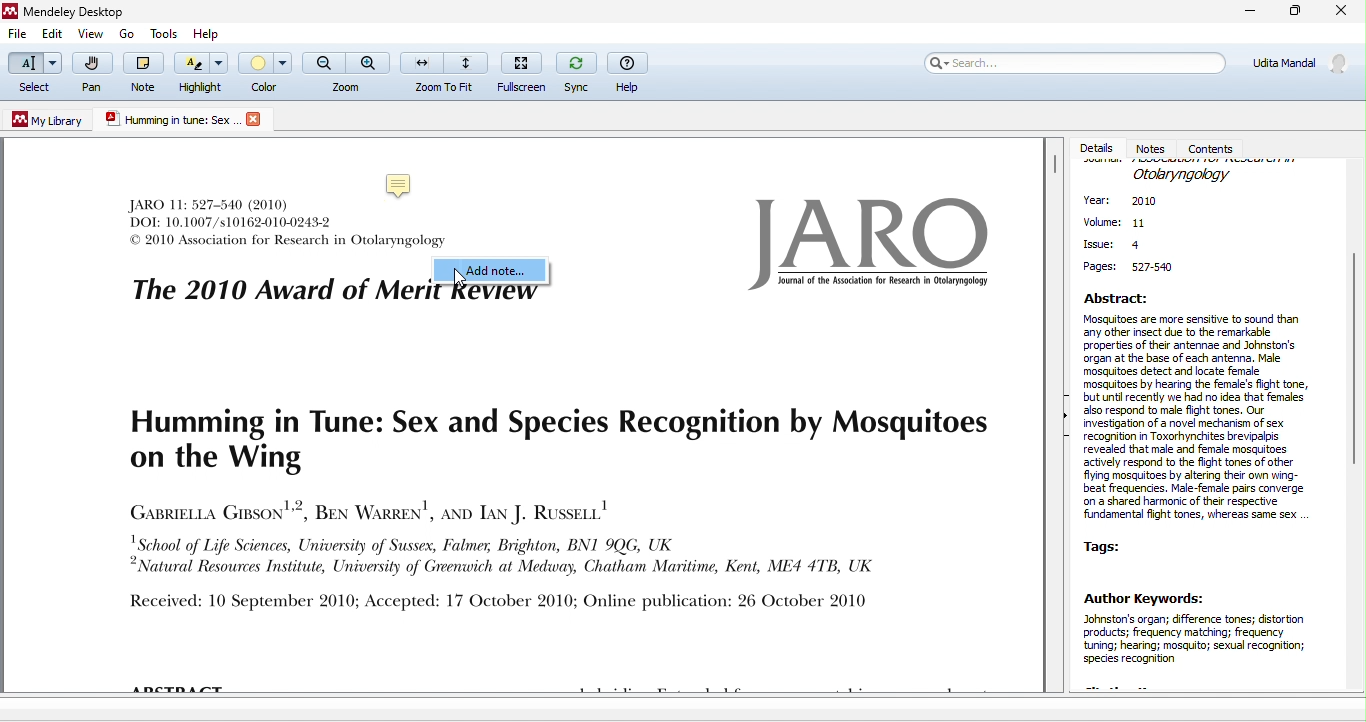  What do you see at coordinates (549, 510) in the screenshot?
I see `journal text` at bounding box center [549, 510].